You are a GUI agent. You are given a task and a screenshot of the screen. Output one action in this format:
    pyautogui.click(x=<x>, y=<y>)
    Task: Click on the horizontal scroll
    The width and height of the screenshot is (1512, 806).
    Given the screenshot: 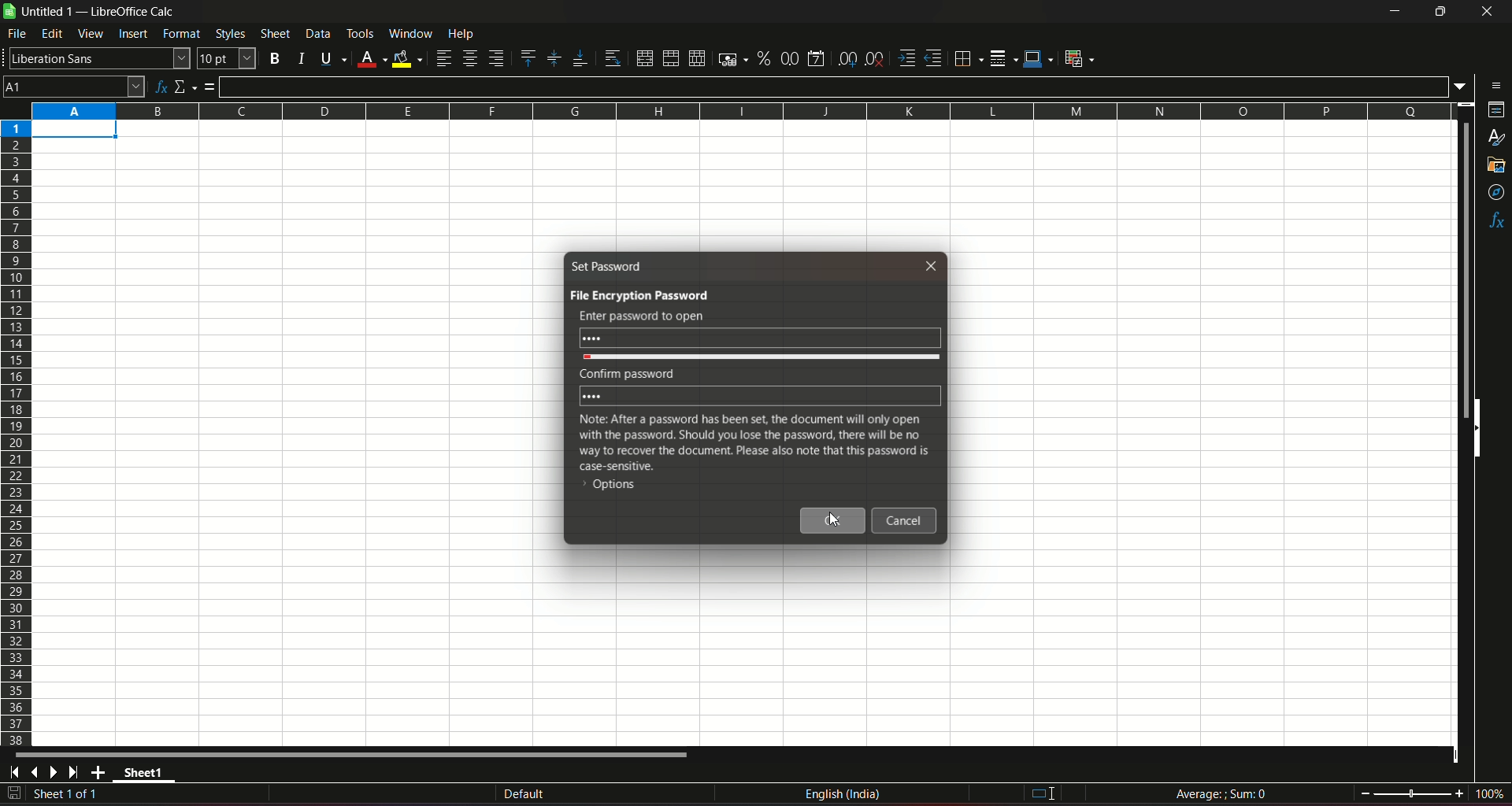 What is the action you would take?
    pyautogui.click(x=356, y=755)
    